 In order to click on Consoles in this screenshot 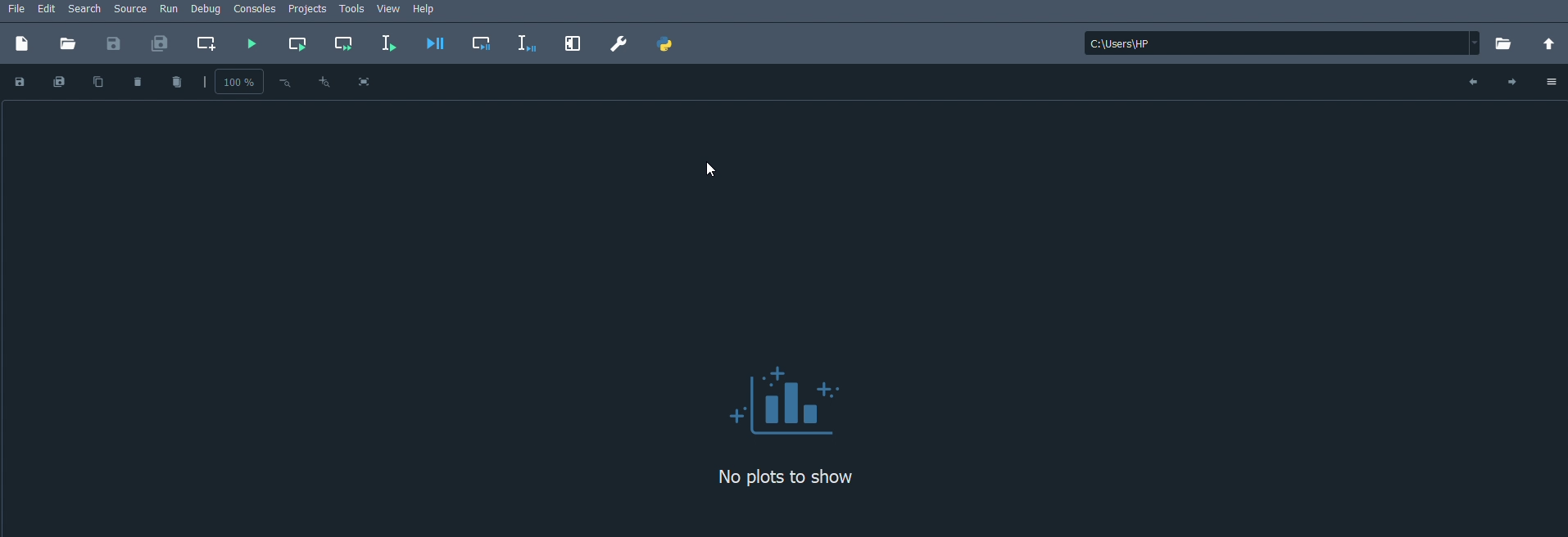, I will do `click(256, 11)`.